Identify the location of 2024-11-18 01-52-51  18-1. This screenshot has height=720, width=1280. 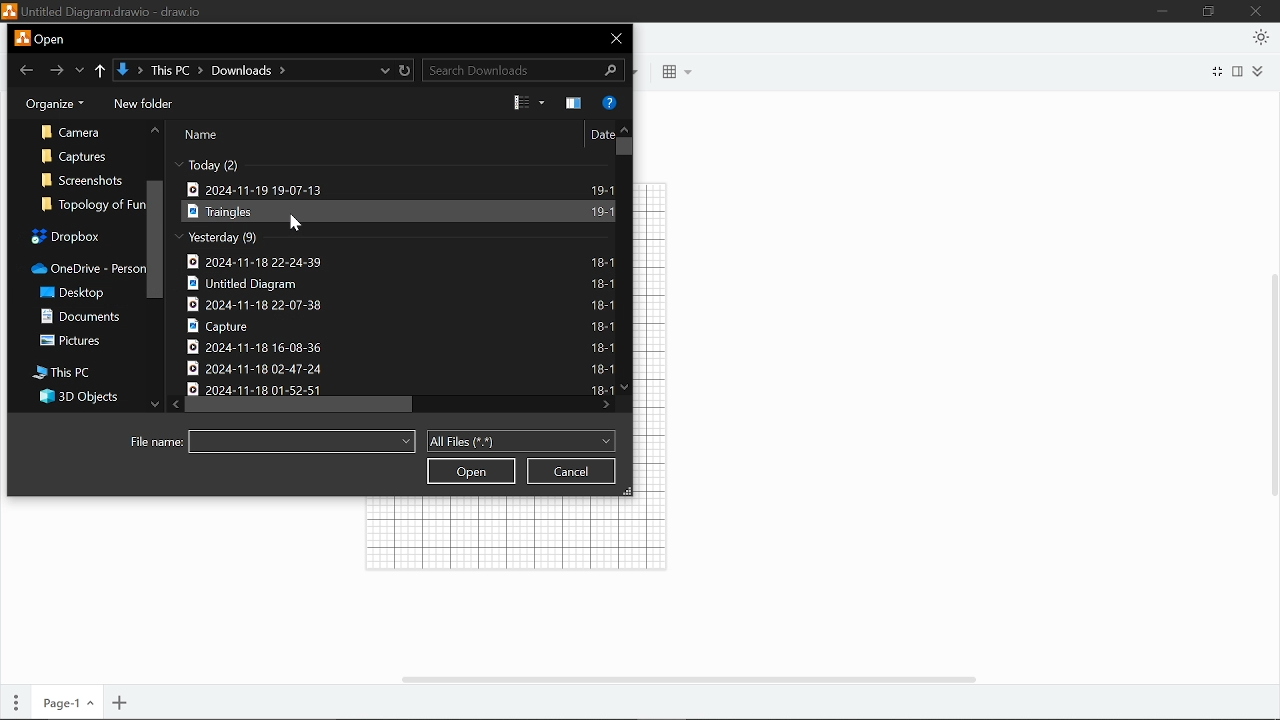
(399, 387).